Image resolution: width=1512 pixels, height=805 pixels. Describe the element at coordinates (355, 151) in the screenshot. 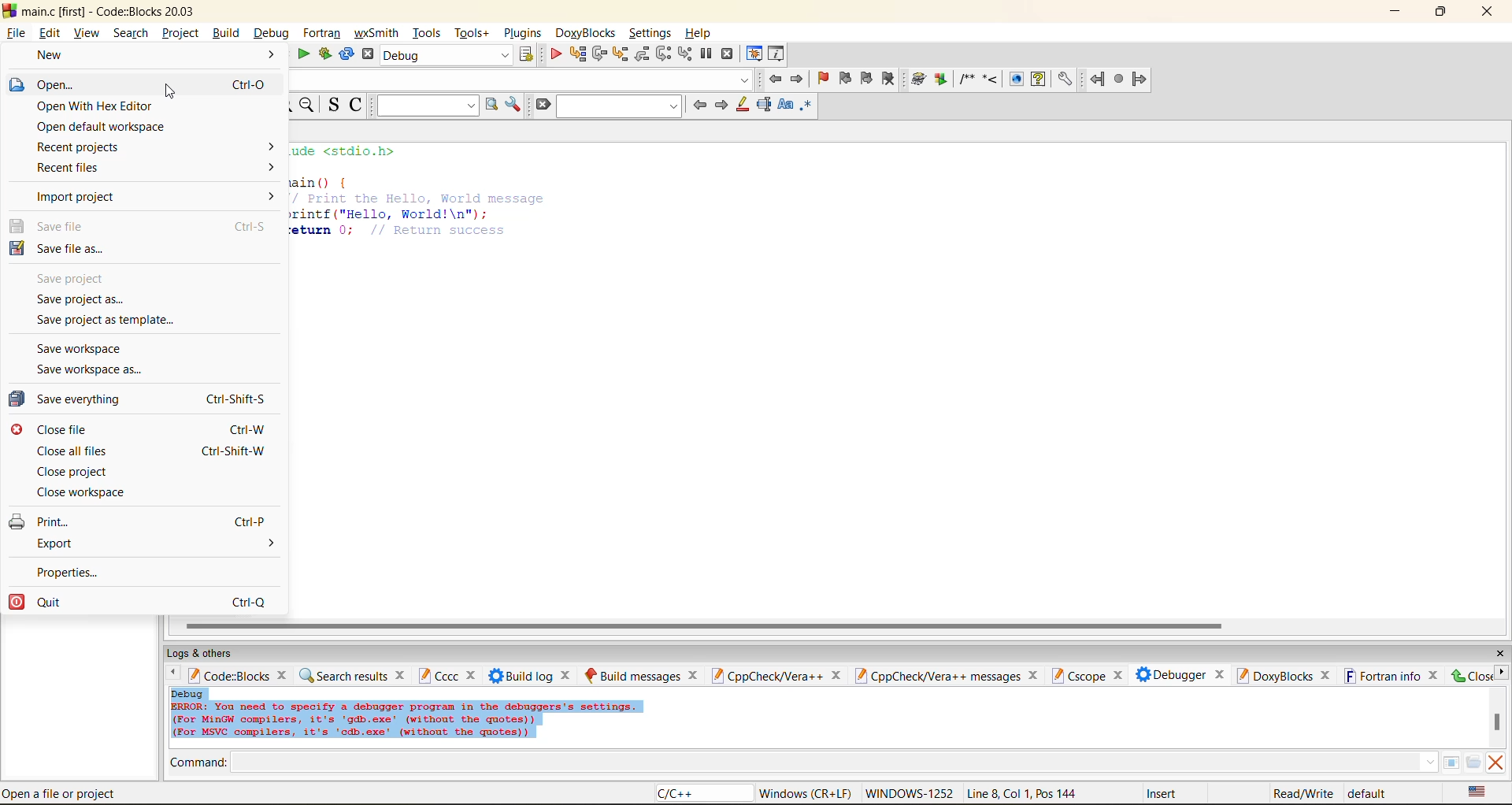

I see `#include <stdio.h>` at that location.